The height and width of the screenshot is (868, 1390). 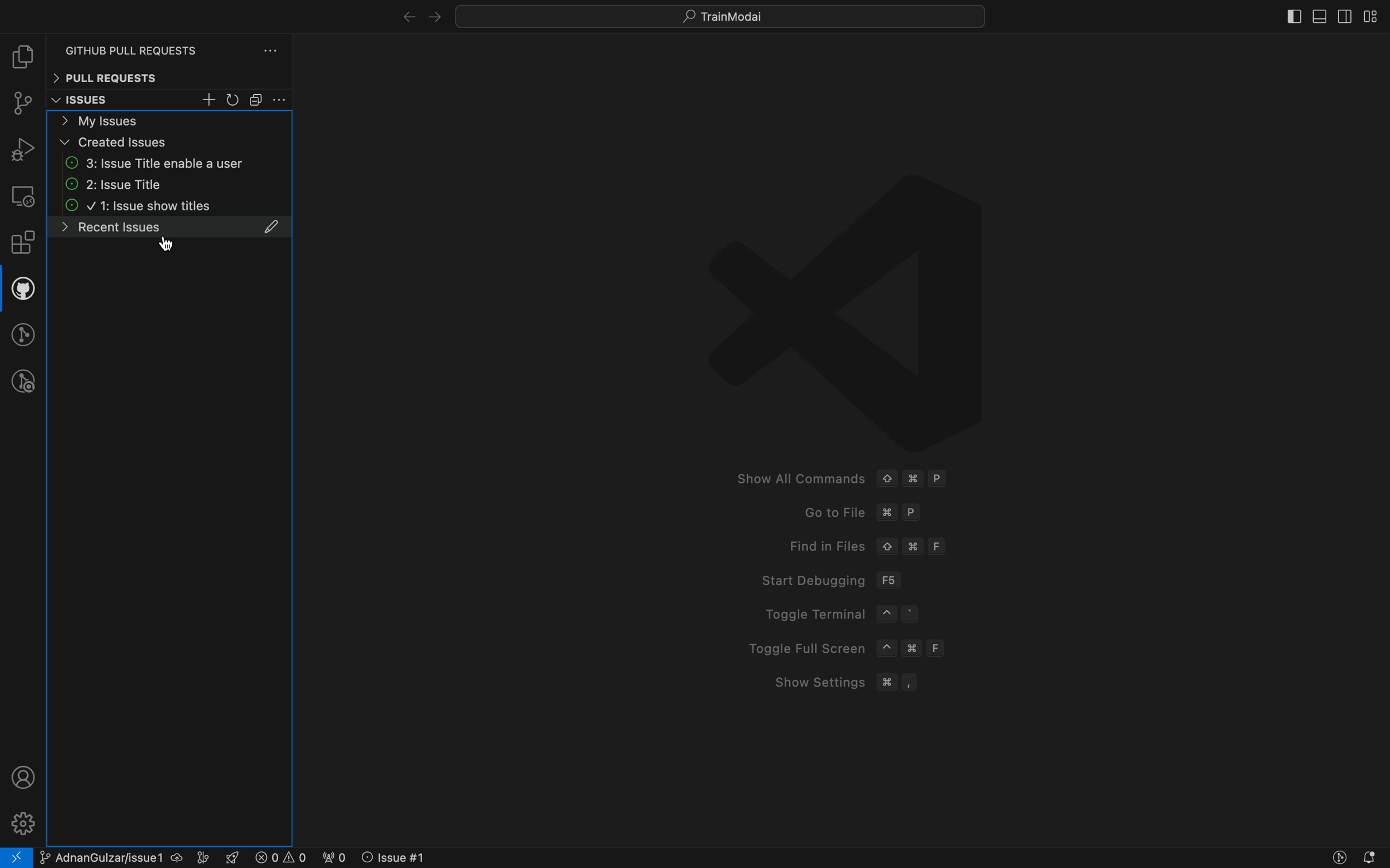 I want to click on issues list, so click(x=171, y=185).